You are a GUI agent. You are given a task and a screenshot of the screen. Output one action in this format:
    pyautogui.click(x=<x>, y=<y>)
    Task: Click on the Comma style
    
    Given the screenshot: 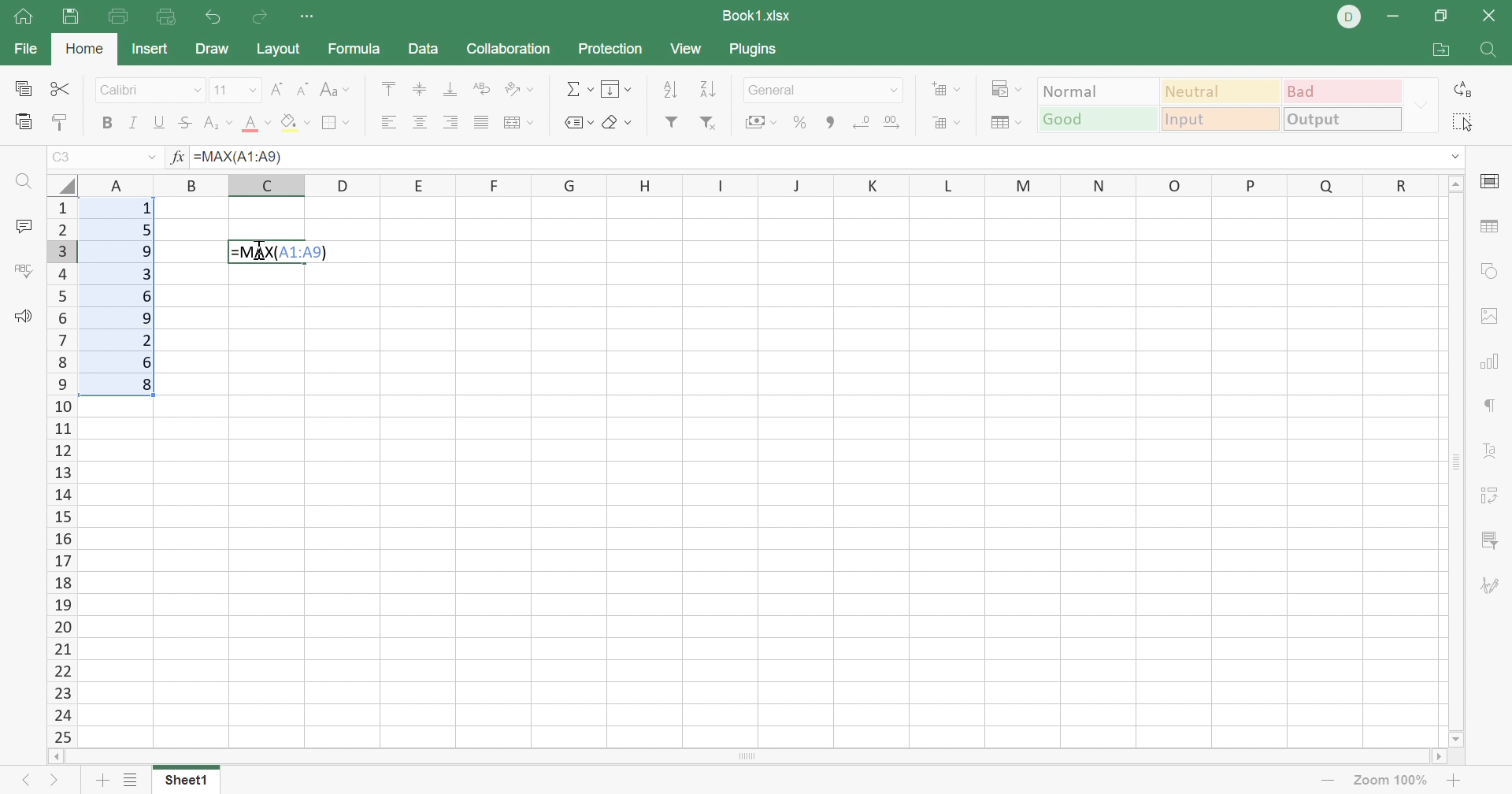 What is the action you would take?
    pyautogui.click(x=832, y=122)
    